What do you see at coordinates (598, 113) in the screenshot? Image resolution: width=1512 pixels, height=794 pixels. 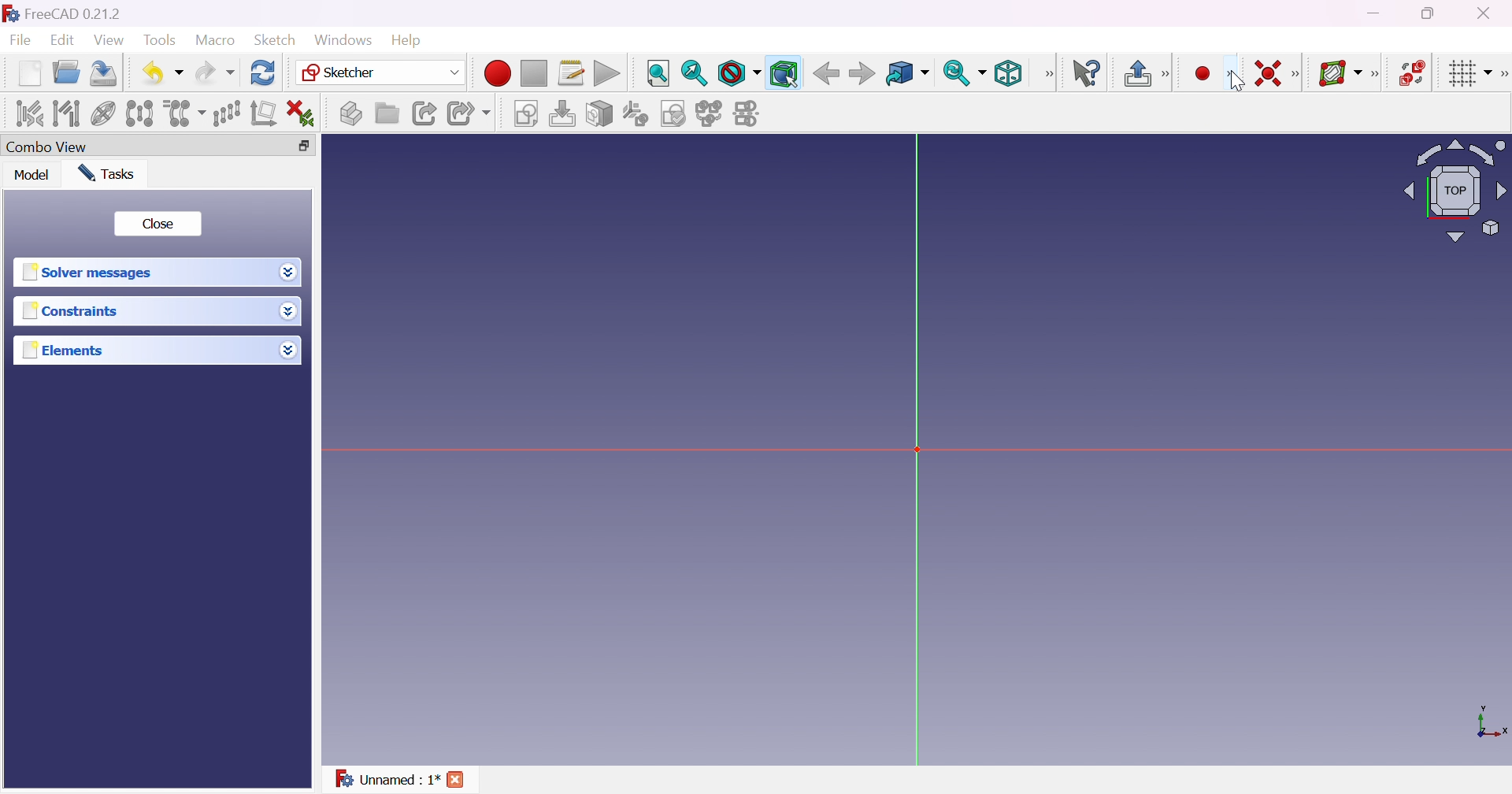 I see `Map sketch to face` at bounding box center [598, 113].